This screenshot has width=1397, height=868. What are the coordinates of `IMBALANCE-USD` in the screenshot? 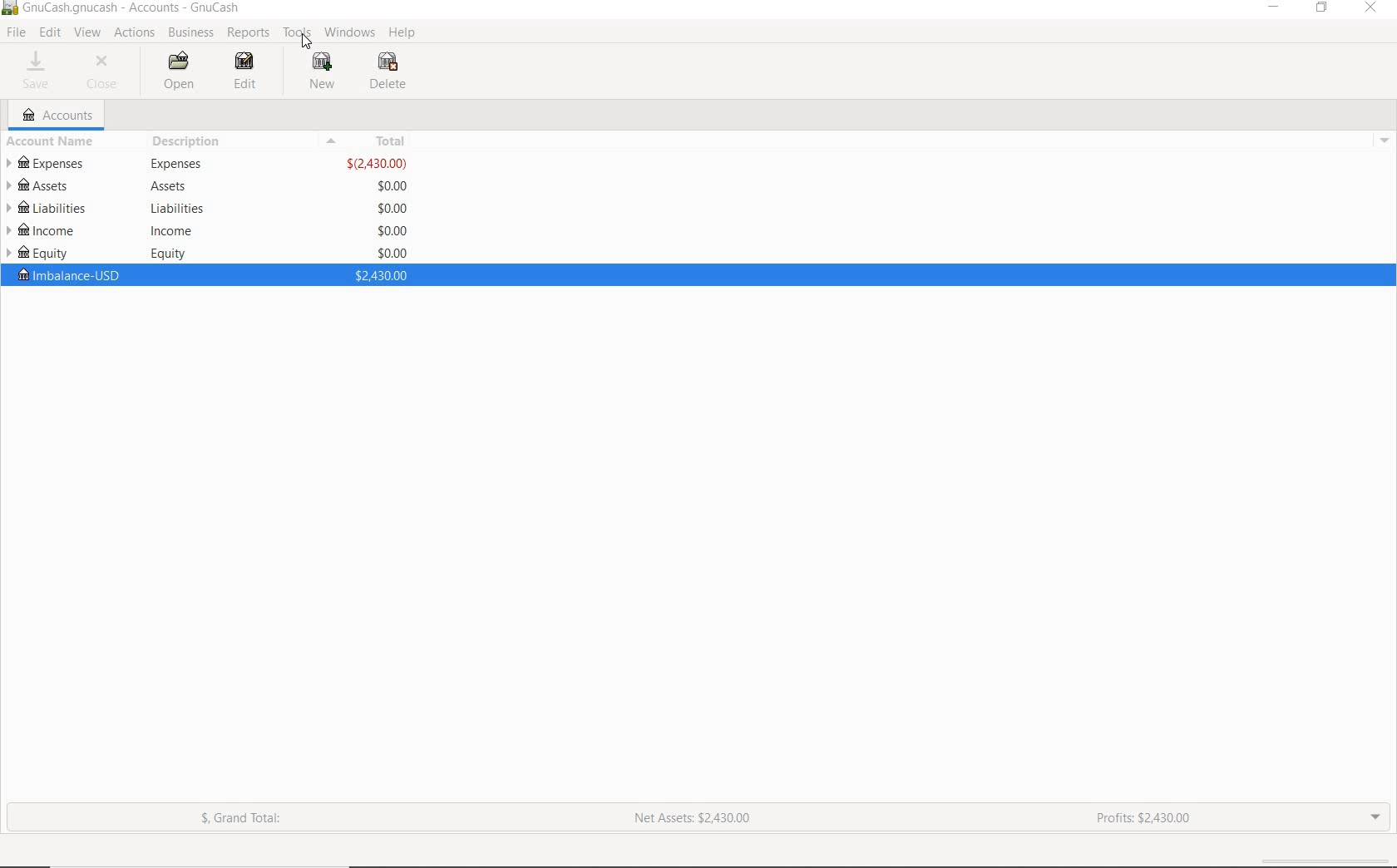 It's located at (67, 275).